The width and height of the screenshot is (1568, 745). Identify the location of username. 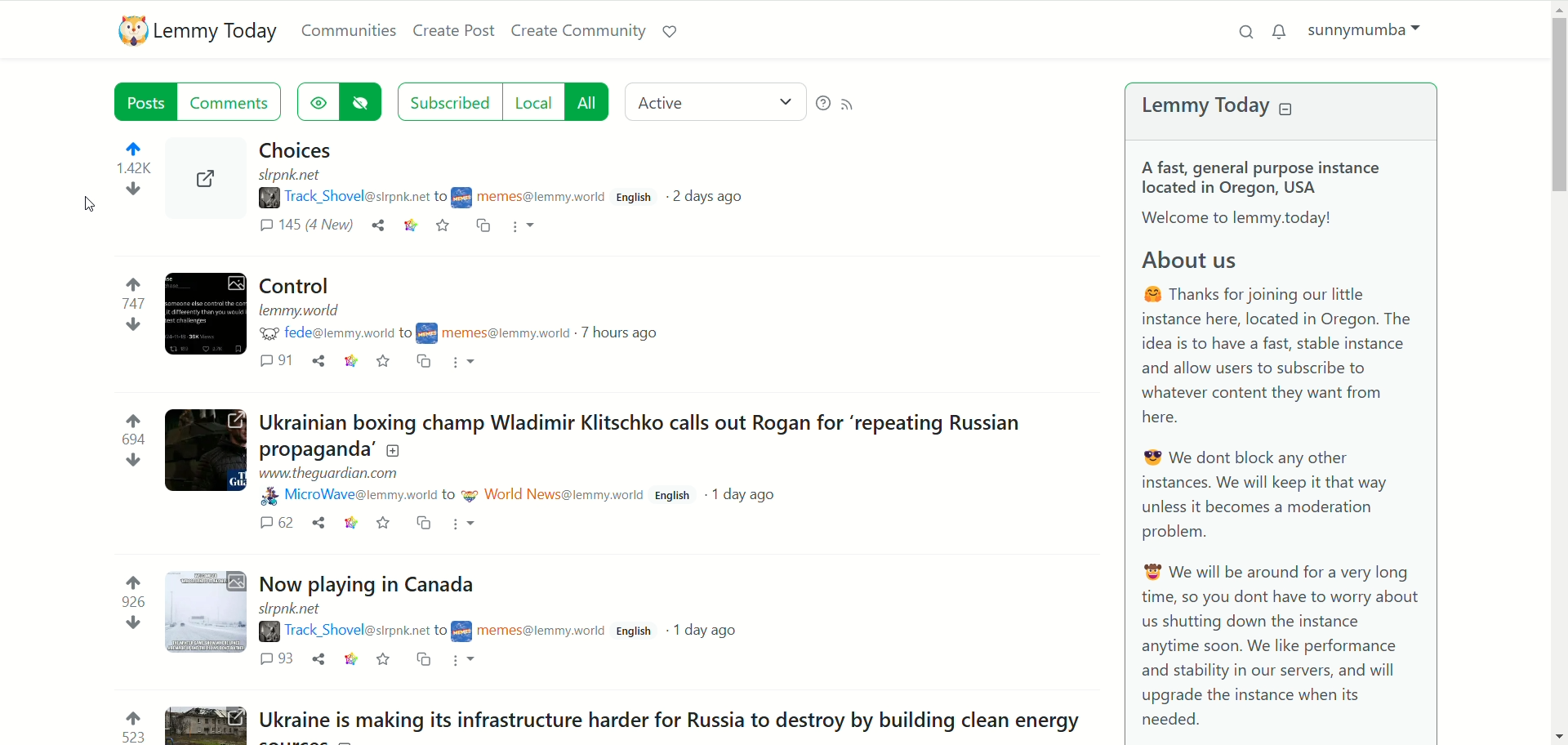
(541, 634).